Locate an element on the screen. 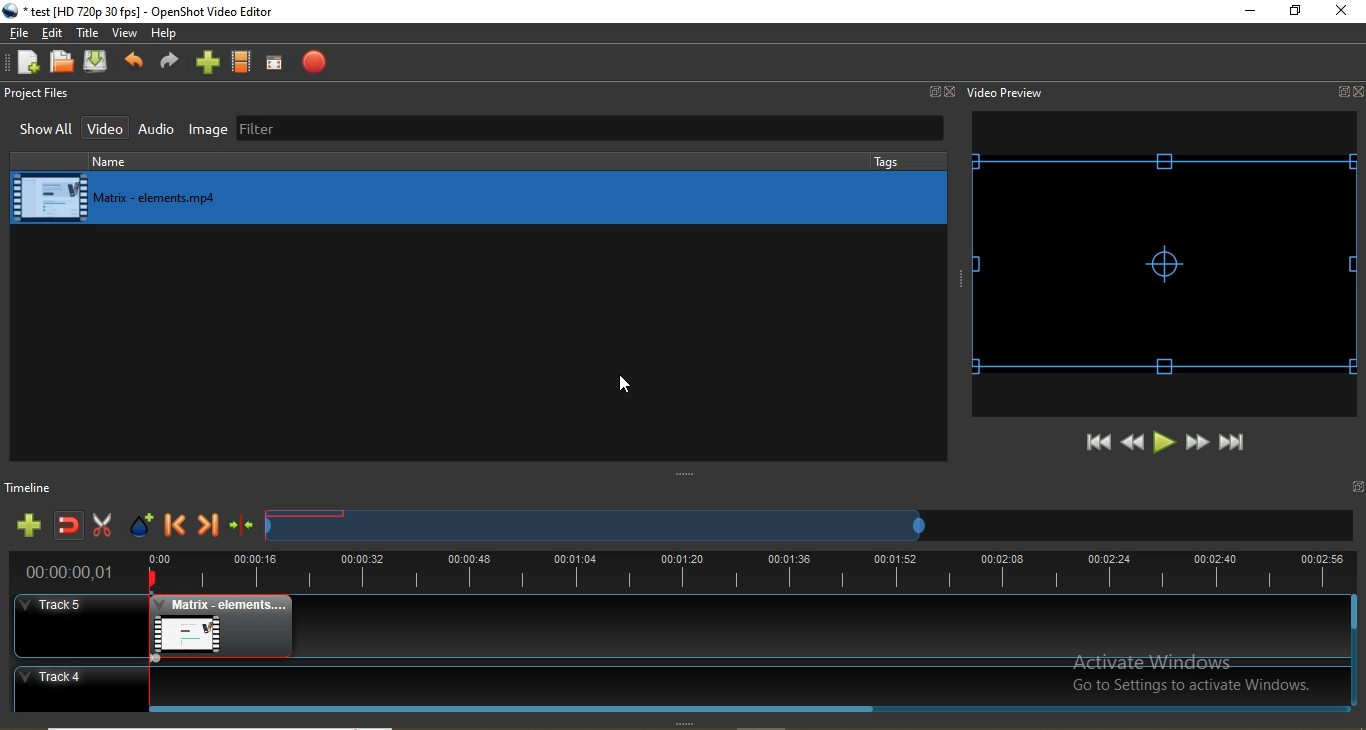 Image resolution: width=1366 pixels, height=730 pixels. media library is located at coordinates (479, 196).